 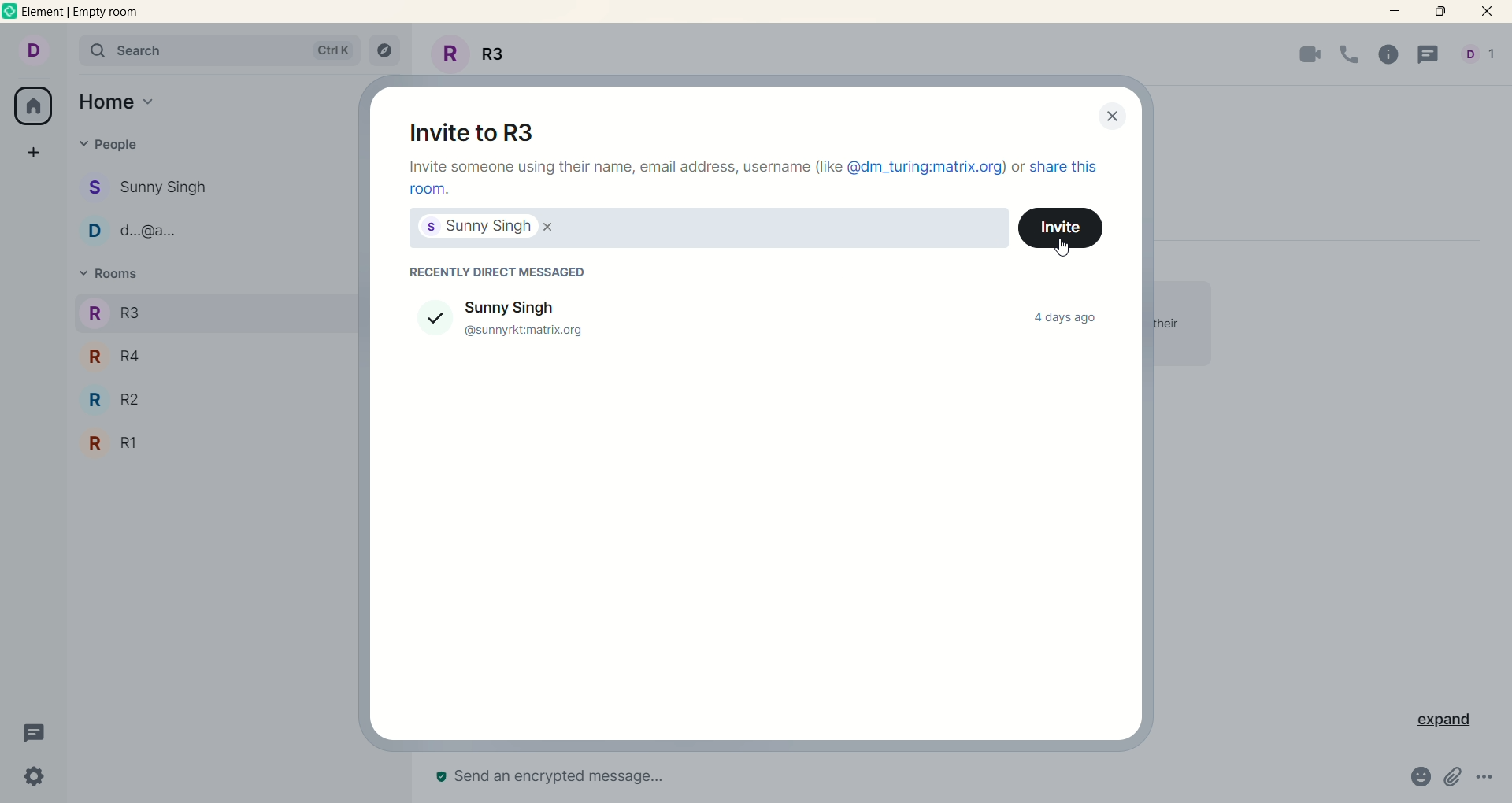 I want to click on rooms, so click(x=115, y=277).